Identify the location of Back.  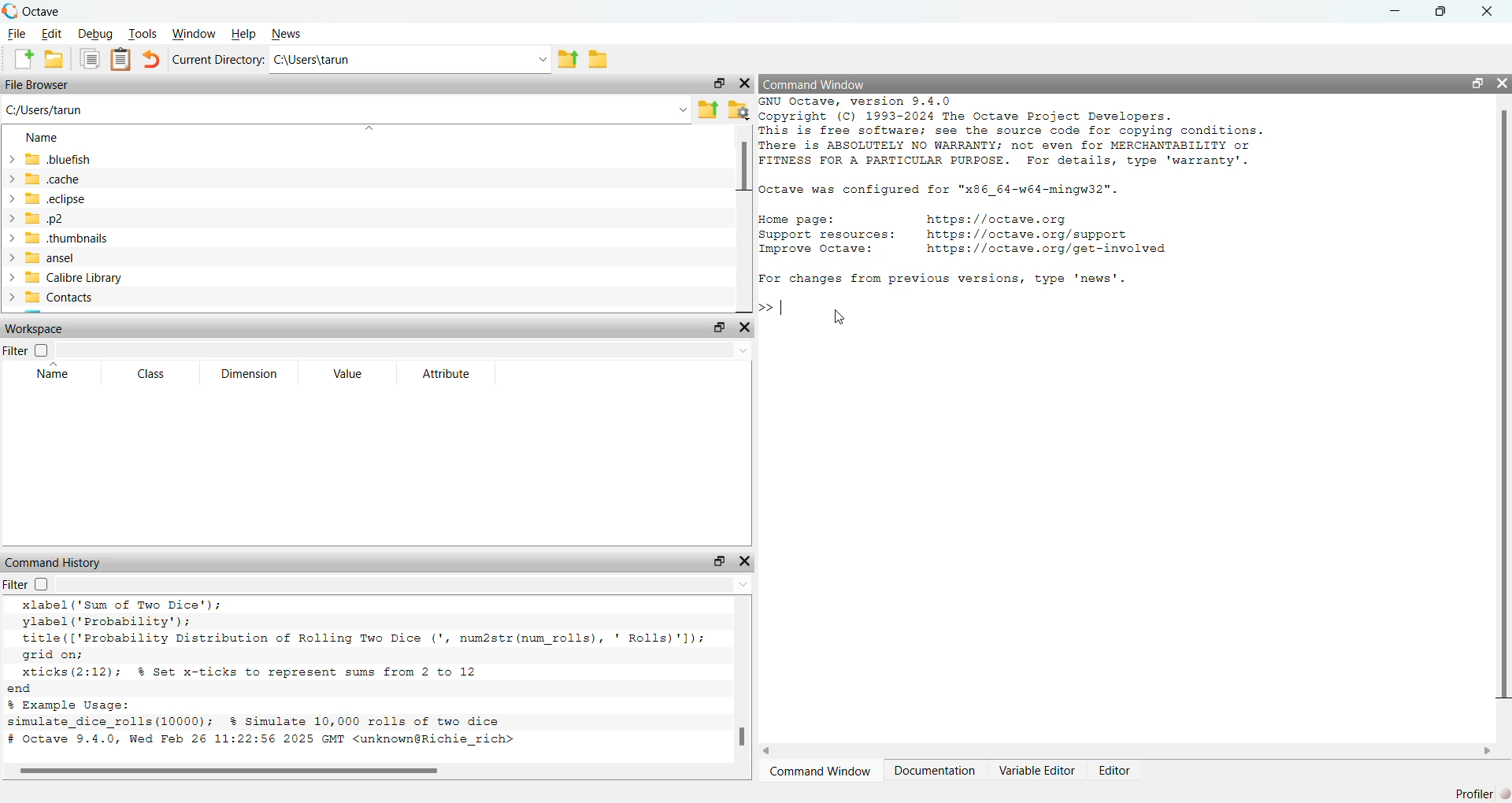
(769, 749).